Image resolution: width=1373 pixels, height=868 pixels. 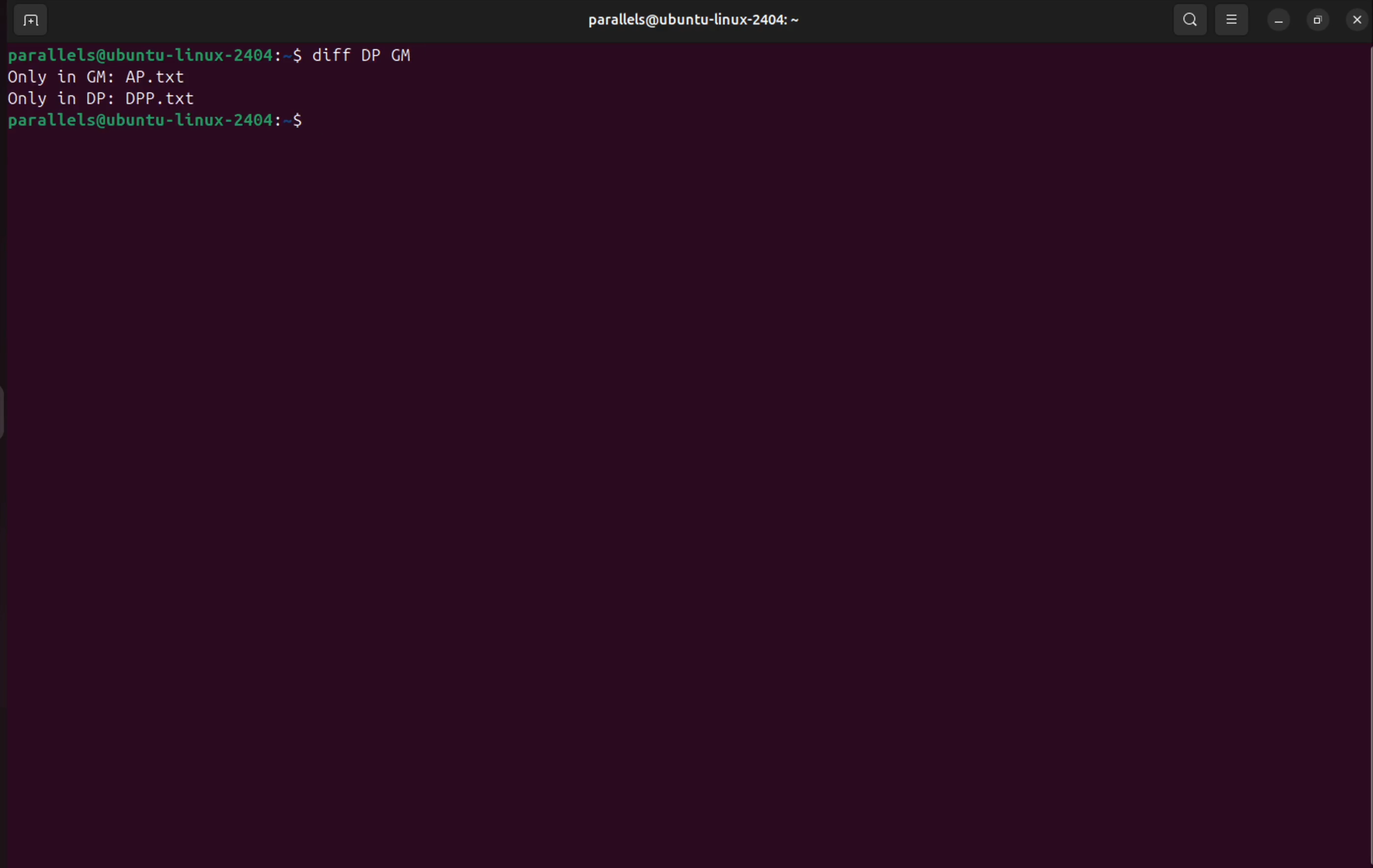 I want to click on user profile, so click(x=701, y=20).